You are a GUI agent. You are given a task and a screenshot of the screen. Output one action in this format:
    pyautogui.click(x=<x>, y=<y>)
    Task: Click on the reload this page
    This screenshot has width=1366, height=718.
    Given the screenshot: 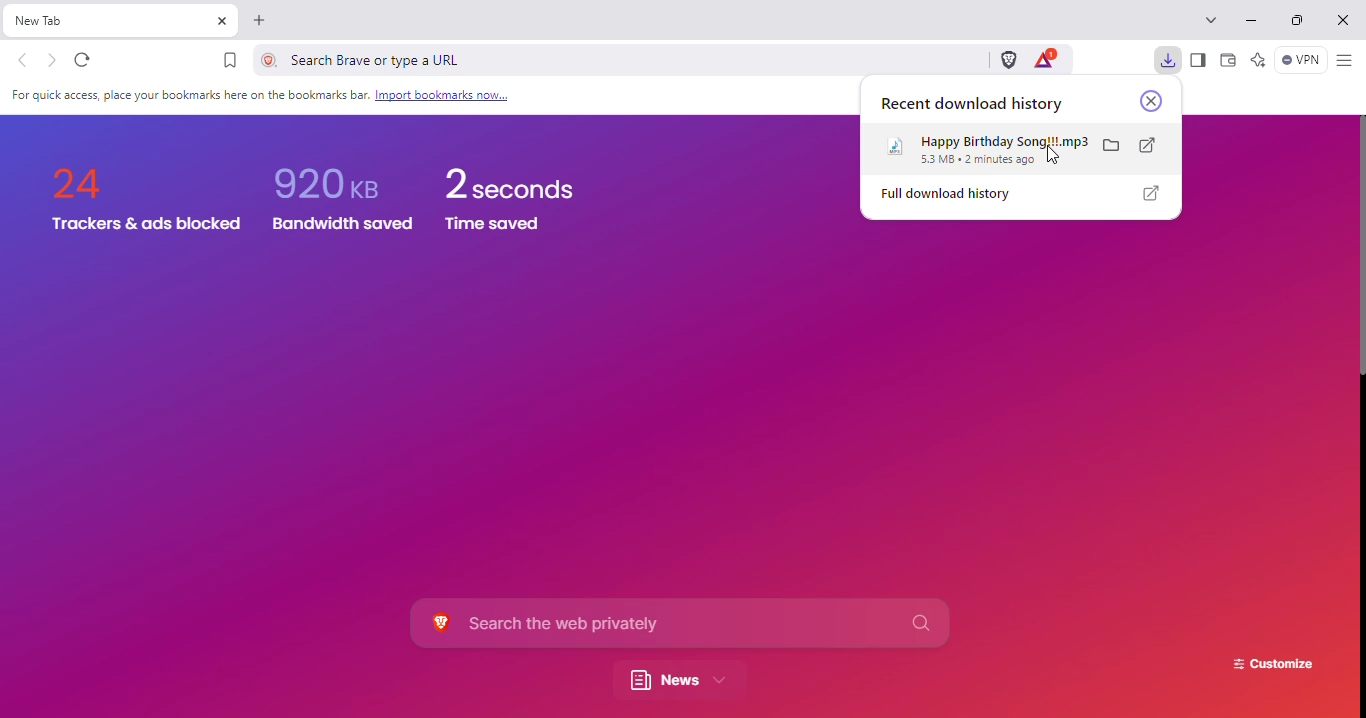 What is the action you would take?
    pyautogui.click(x=82, y=61)
    